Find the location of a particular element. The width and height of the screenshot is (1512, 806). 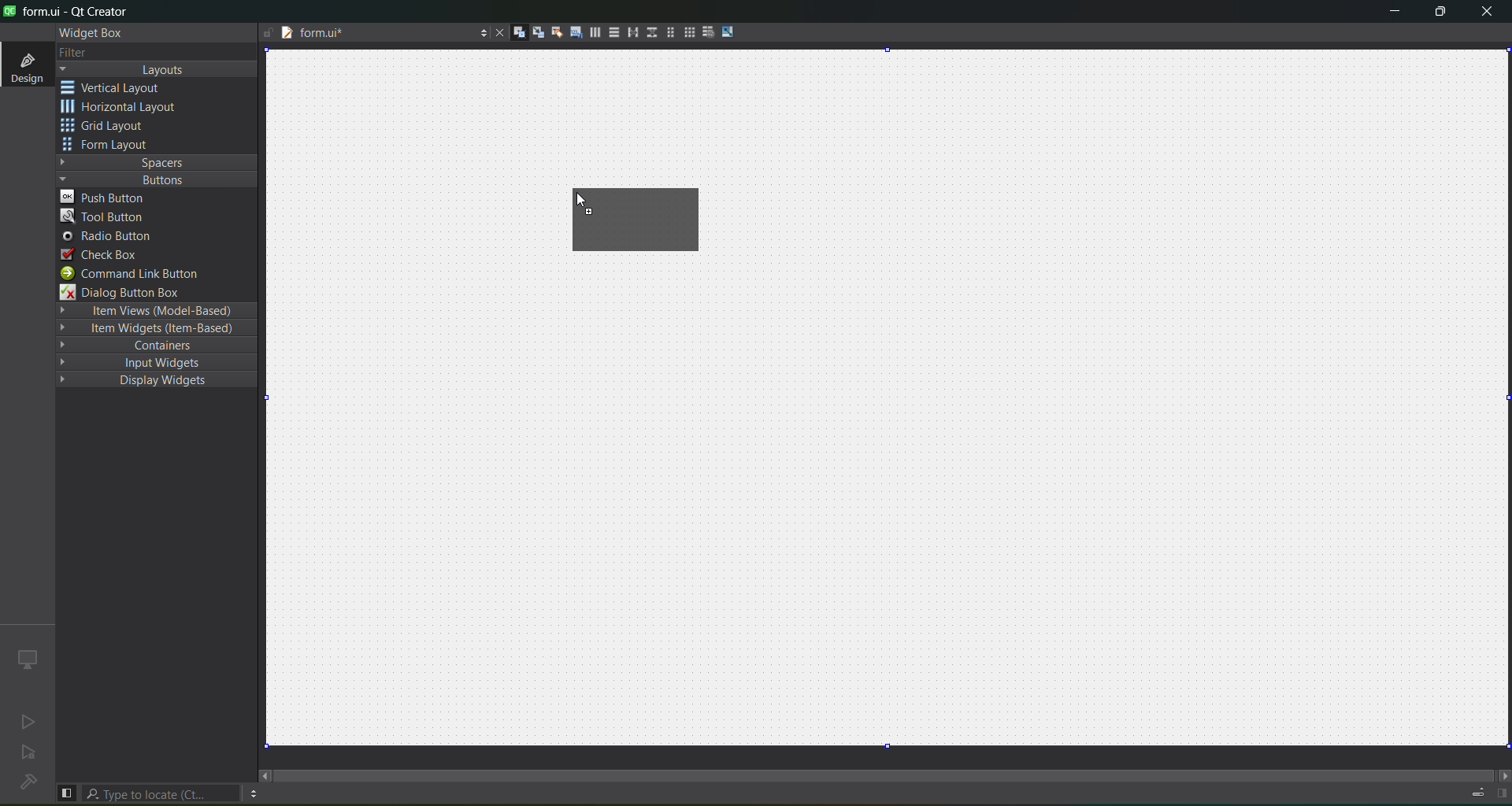

show/hide left pane is located at coordinates (66, 792).